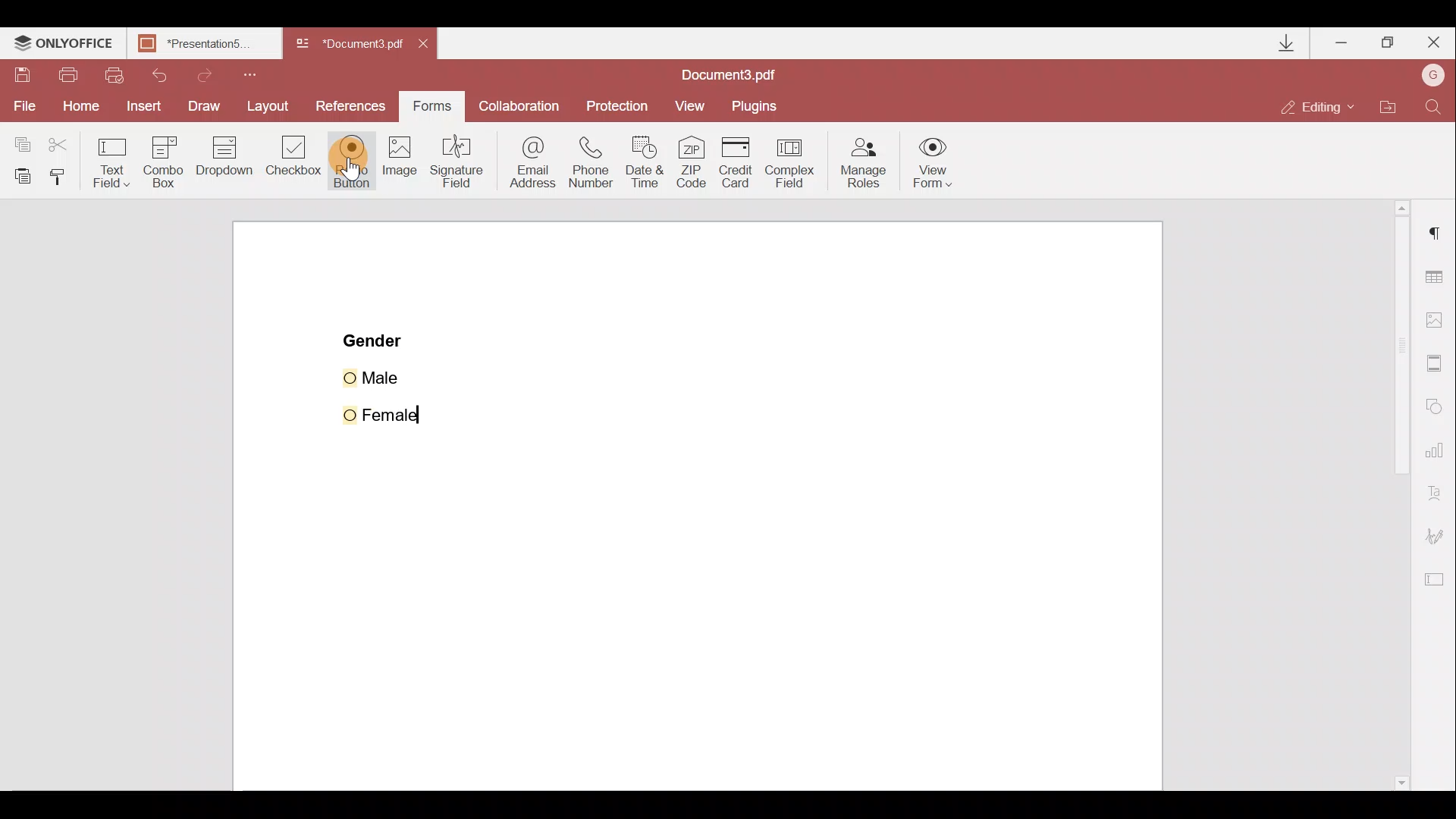 The image size is (1456, 819). I want to click on Draw, so click(204, 105).